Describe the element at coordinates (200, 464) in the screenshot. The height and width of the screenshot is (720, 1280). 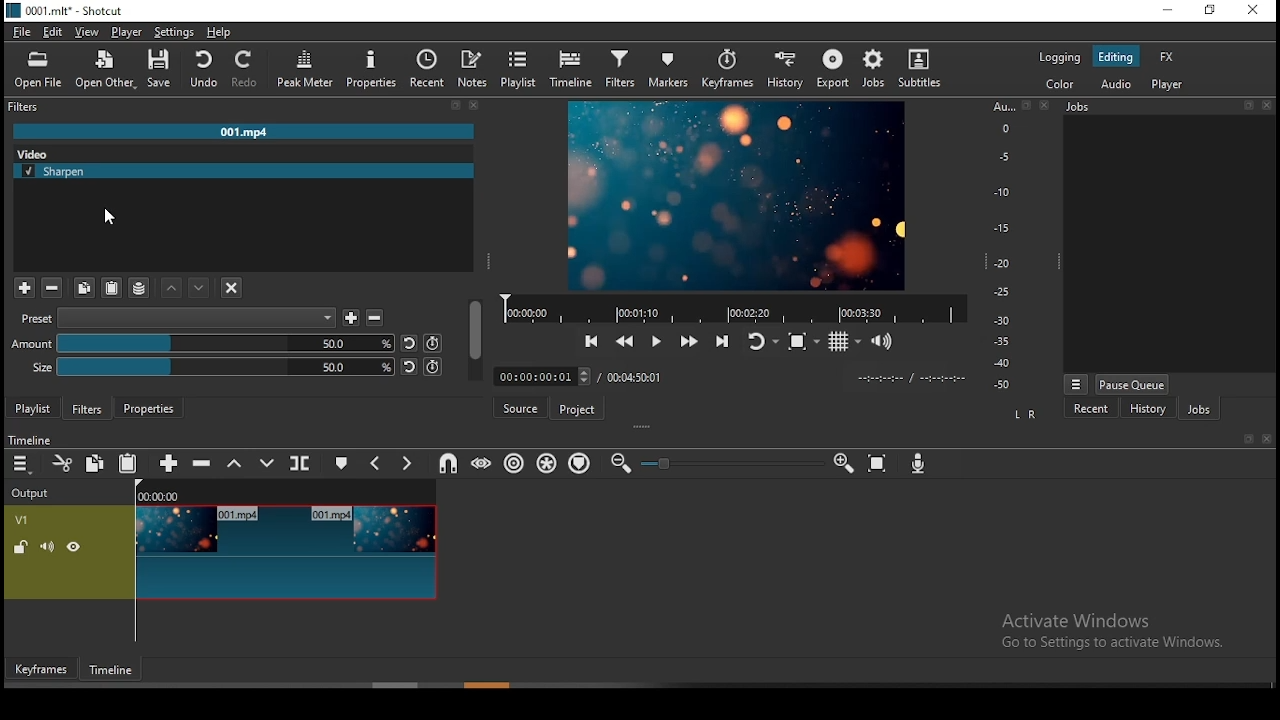
I see `ripple delete` at that location.